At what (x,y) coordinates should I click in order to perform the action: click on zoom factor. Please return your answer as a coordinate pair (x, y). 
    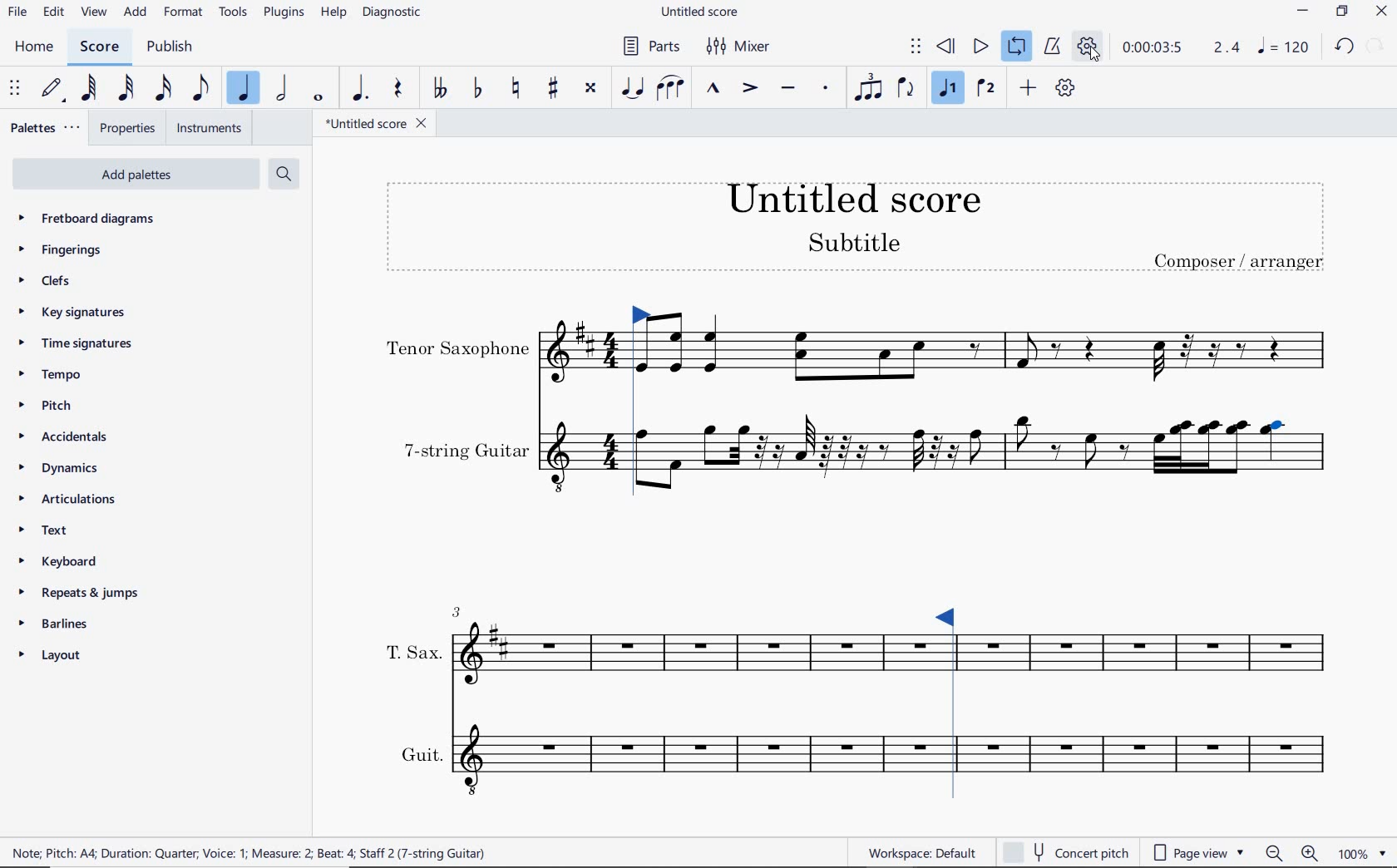
    Looking at the image, I should click on (1359, 852).